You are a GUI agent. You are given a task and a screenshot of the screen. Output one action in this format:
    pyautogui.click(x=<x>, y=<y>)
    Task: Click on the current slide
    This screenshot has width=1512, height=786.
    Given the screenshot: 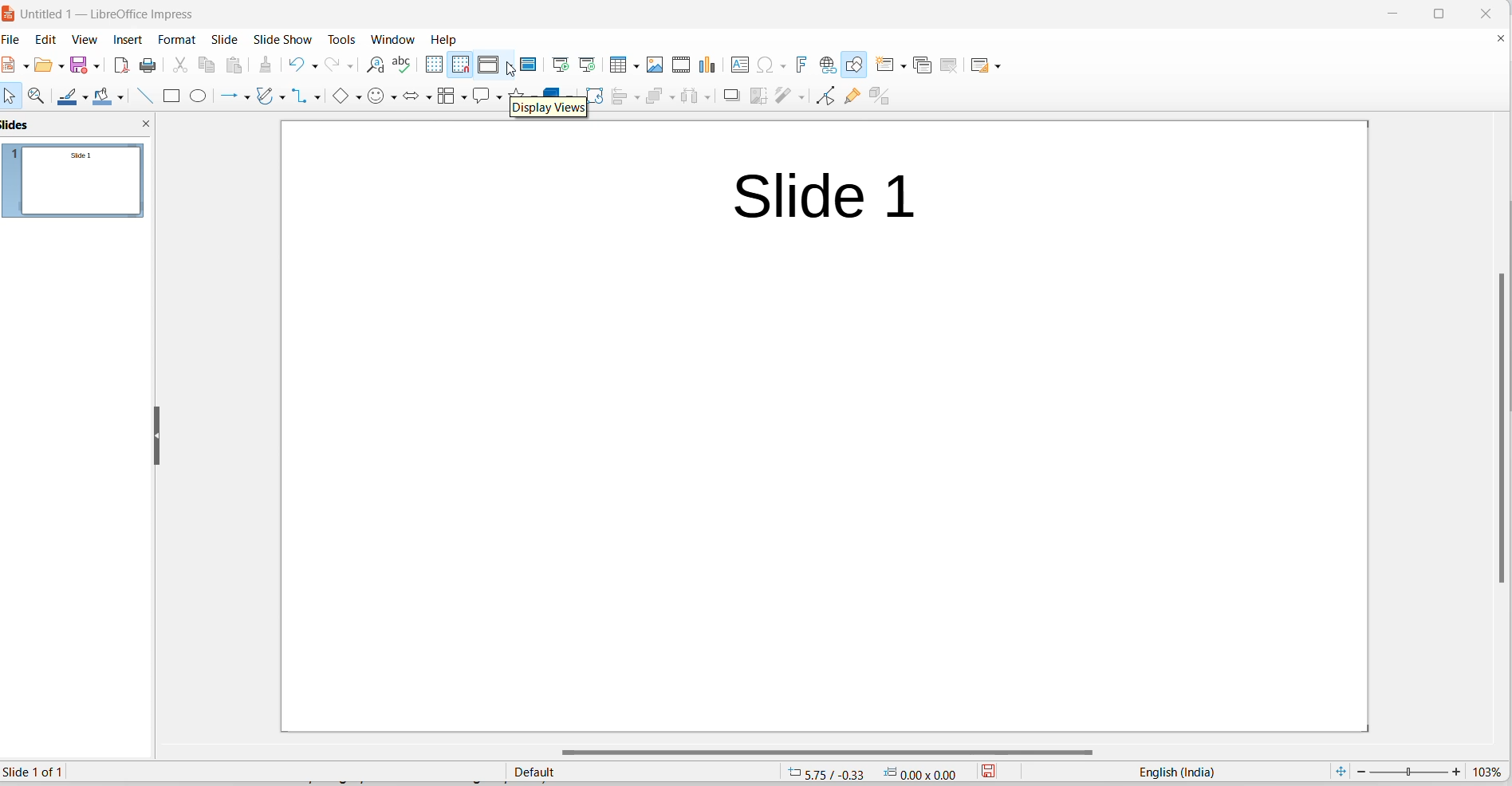 What is the action you would take?
    pyautogui.click(x=41, y=772)
    